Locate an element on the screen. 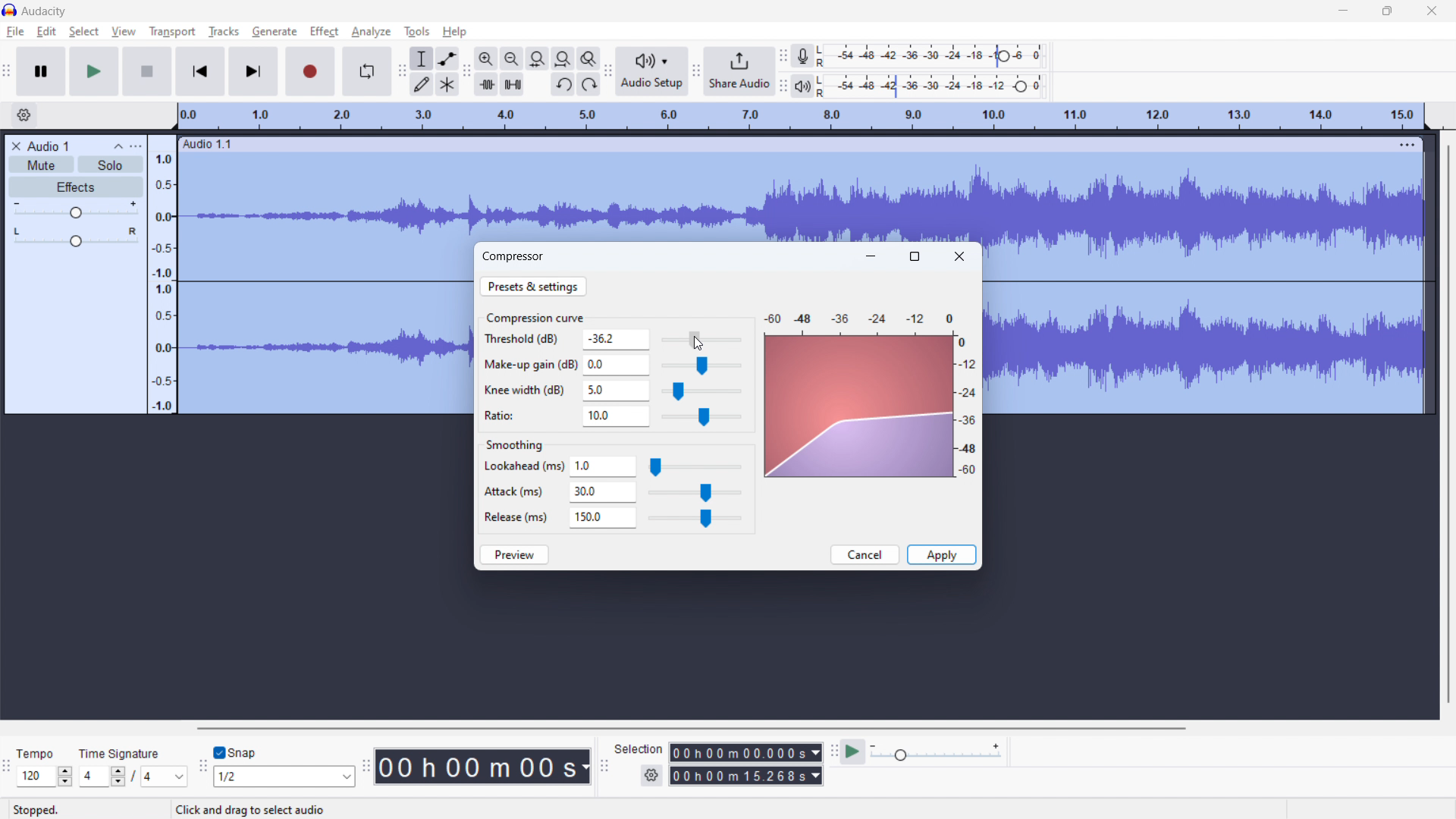 This screenshot has height=819, width=1456. transport is located at coordinates (172, 32).